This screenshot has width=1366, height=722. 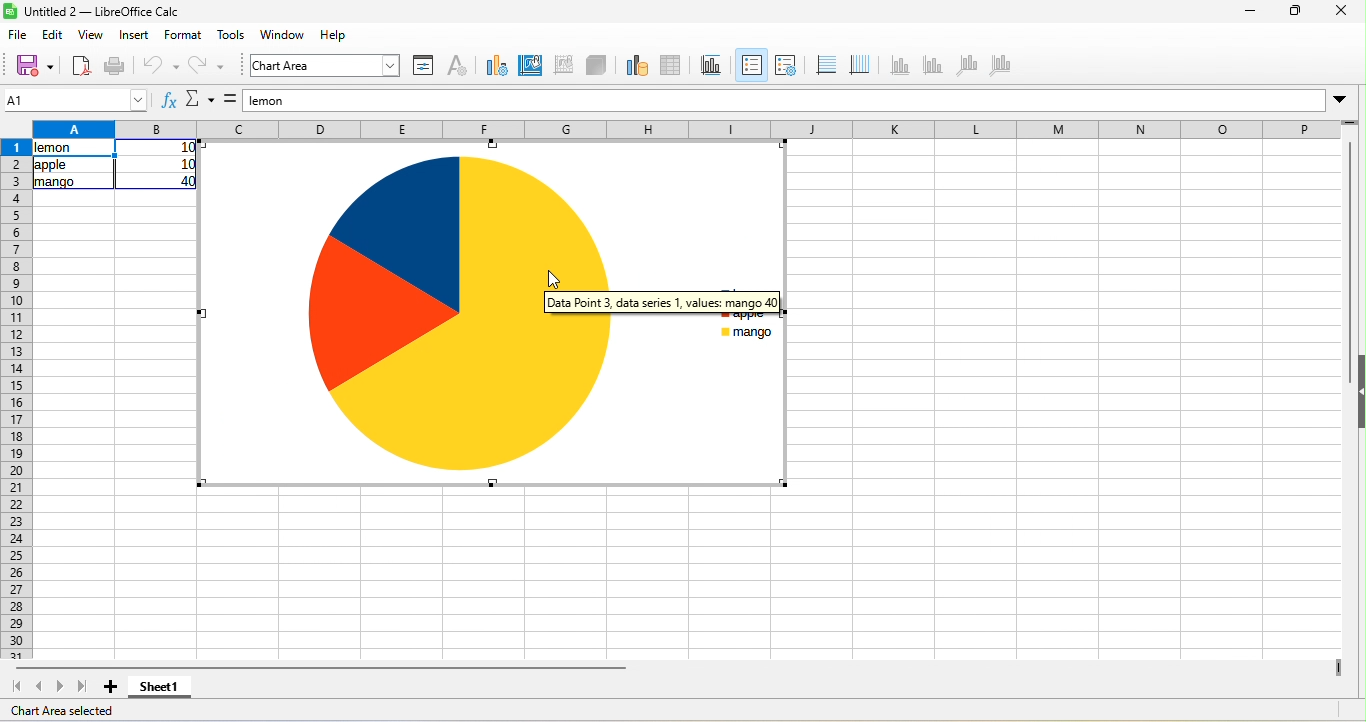 I want to click on data range, so click(x=632, y=64).